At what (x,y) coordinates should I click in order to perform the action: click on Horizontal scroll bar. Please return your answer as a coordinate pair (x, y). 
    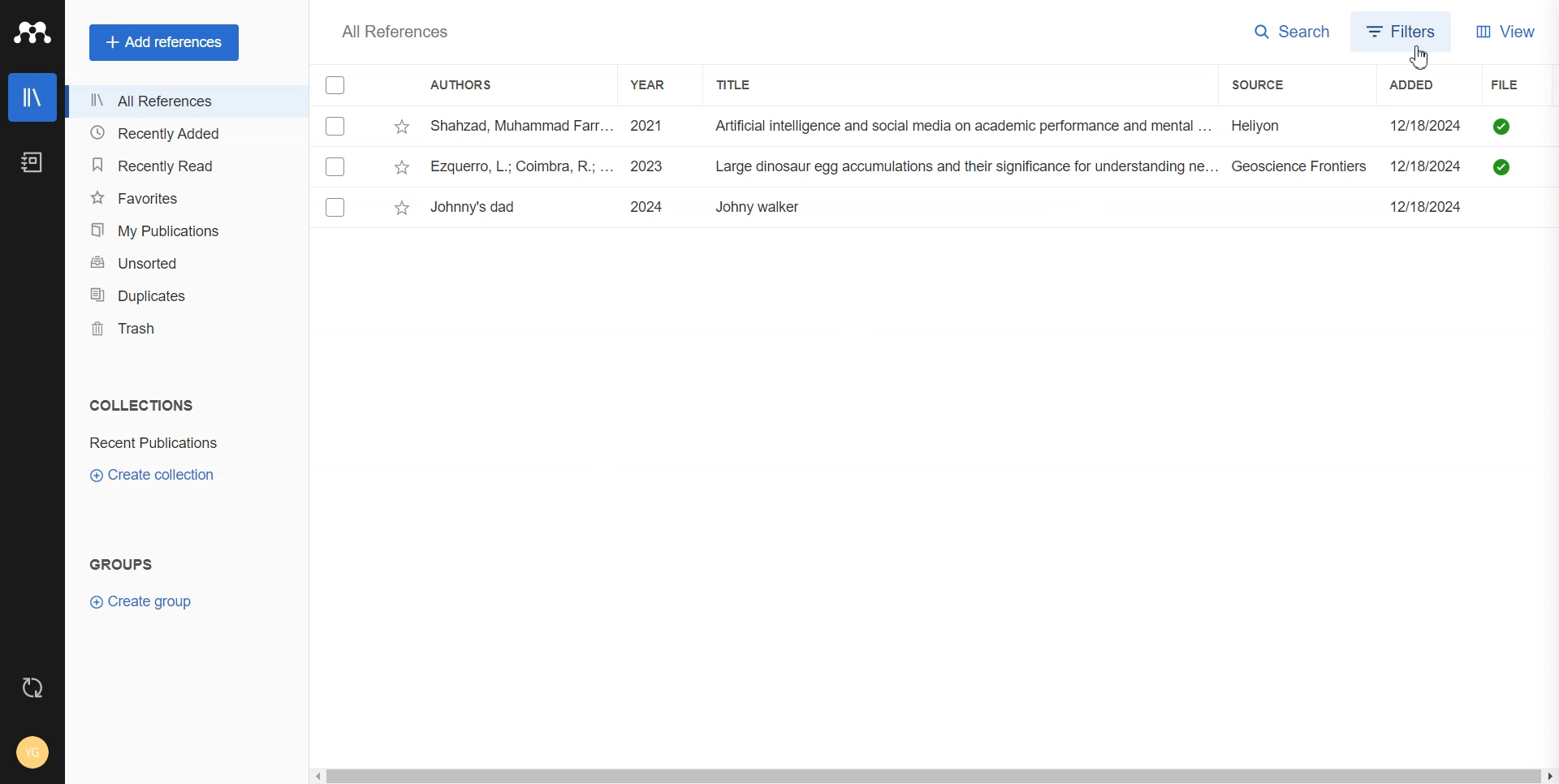
    Looking at the image, I should click on (933, 778).